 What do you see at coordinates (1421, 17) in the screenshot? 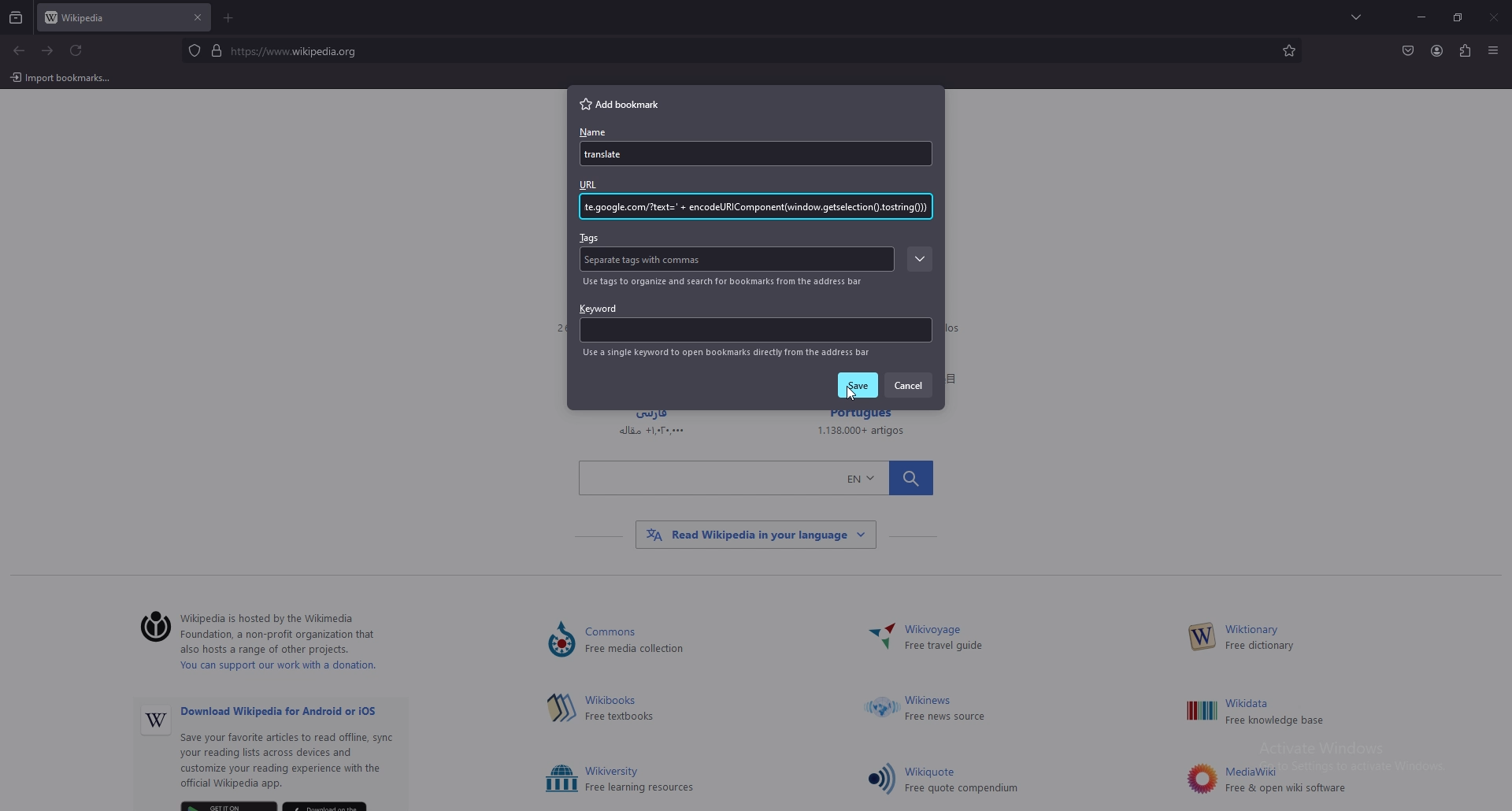
I see `minimize` at bounding box center [1421, 17].